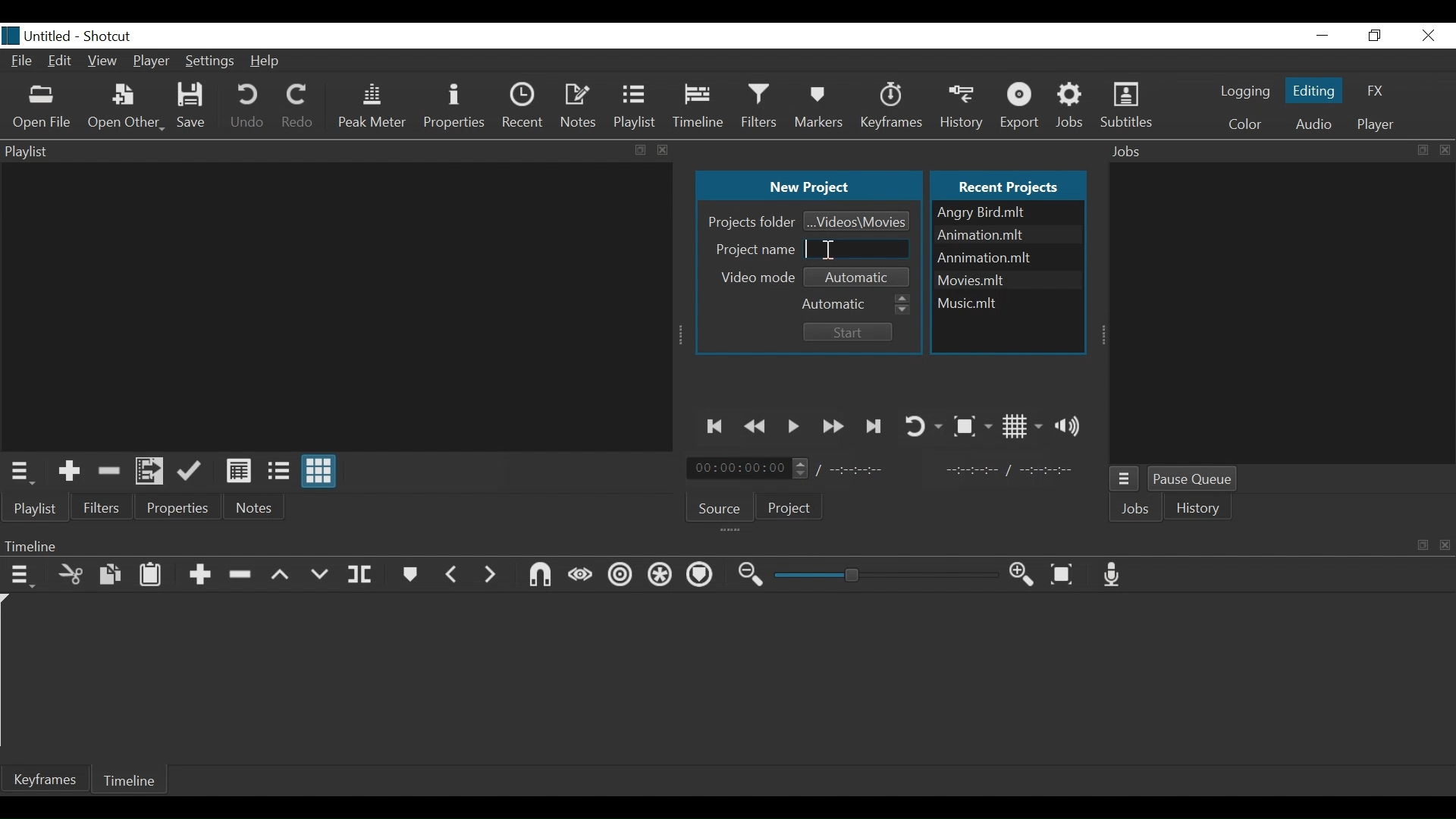 This screenshot has width=1456, height=819. What do you see at coordinates (861, 275) in the screenshot?
I see `Automatic` at bounding box center [861, 275].